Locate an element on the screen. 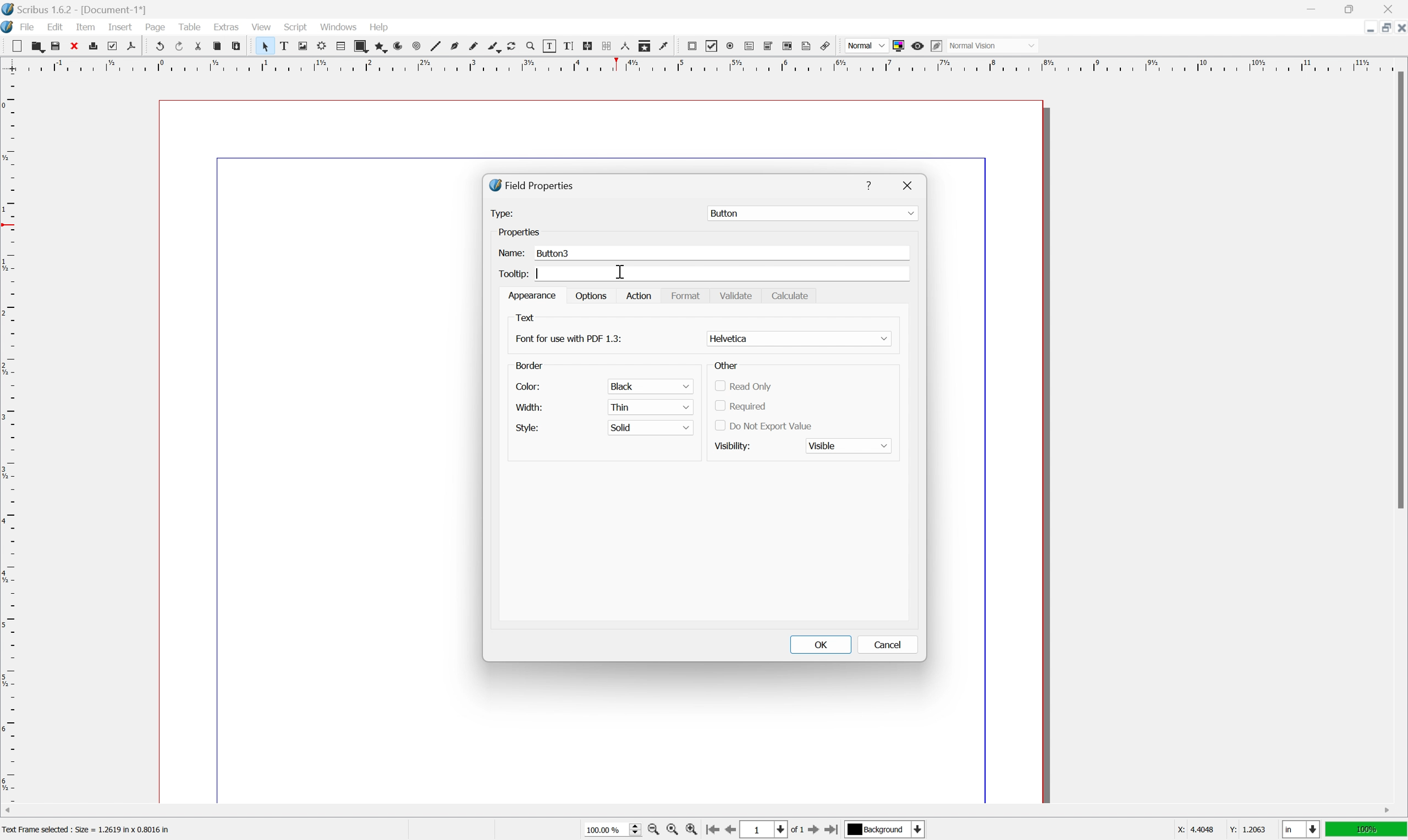 Image resolution: width=1408 pixels, height=840 pixels. thin is located at coordinates (649, 406).